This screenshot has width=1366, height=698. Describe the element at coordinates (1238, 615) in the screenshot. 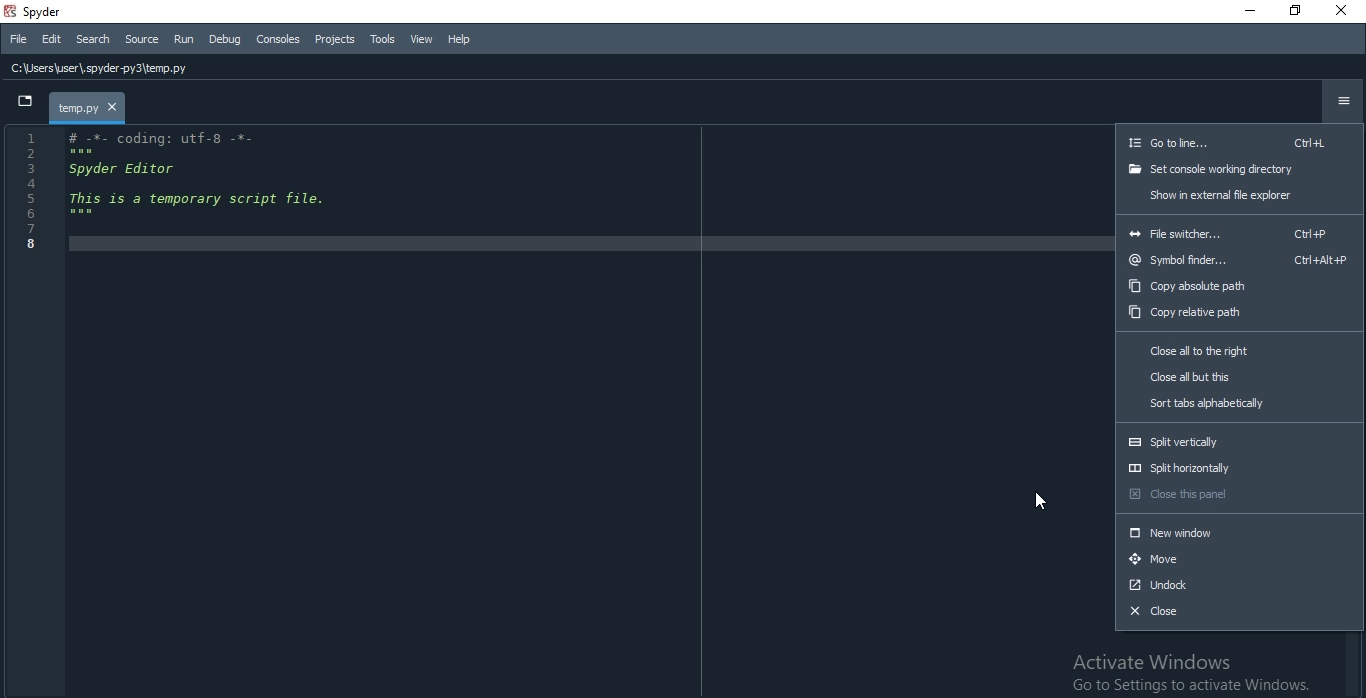

I see `close` at that location.